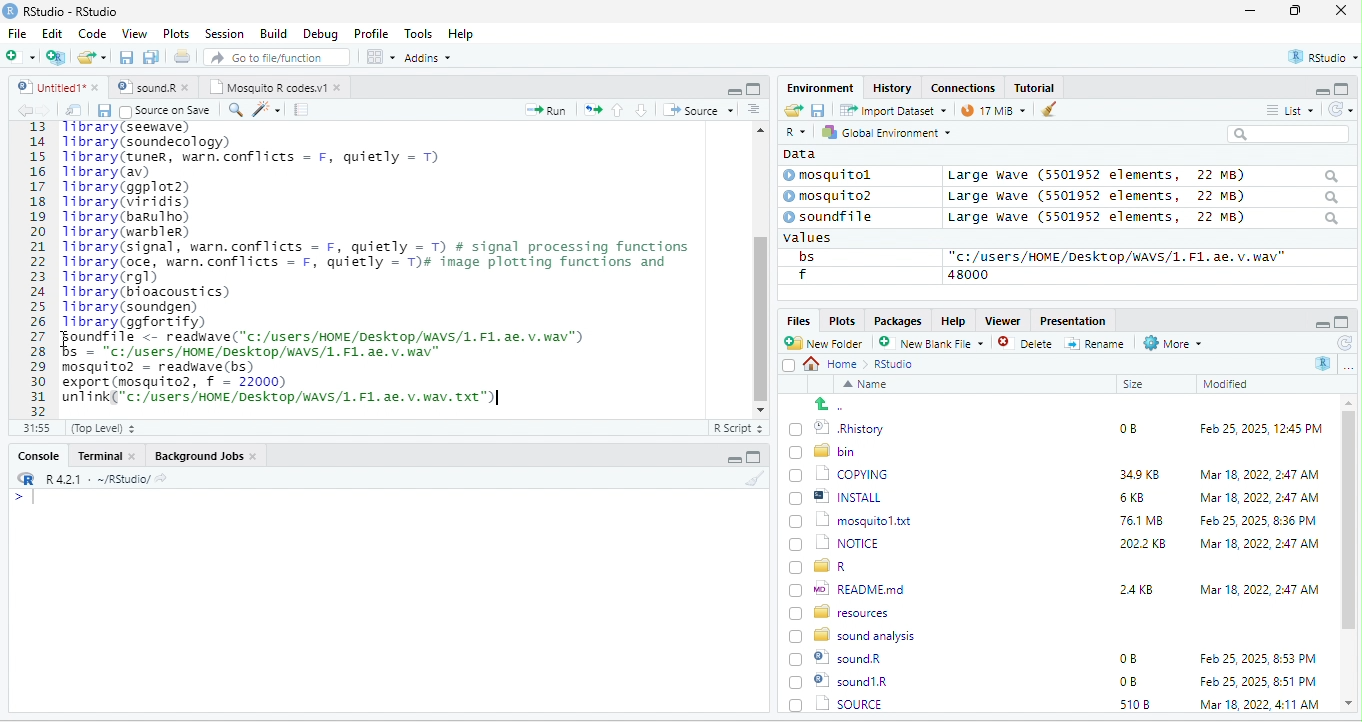  Describe the element at coordinates (235, 108) in the screenshot. I see `search` at that location.